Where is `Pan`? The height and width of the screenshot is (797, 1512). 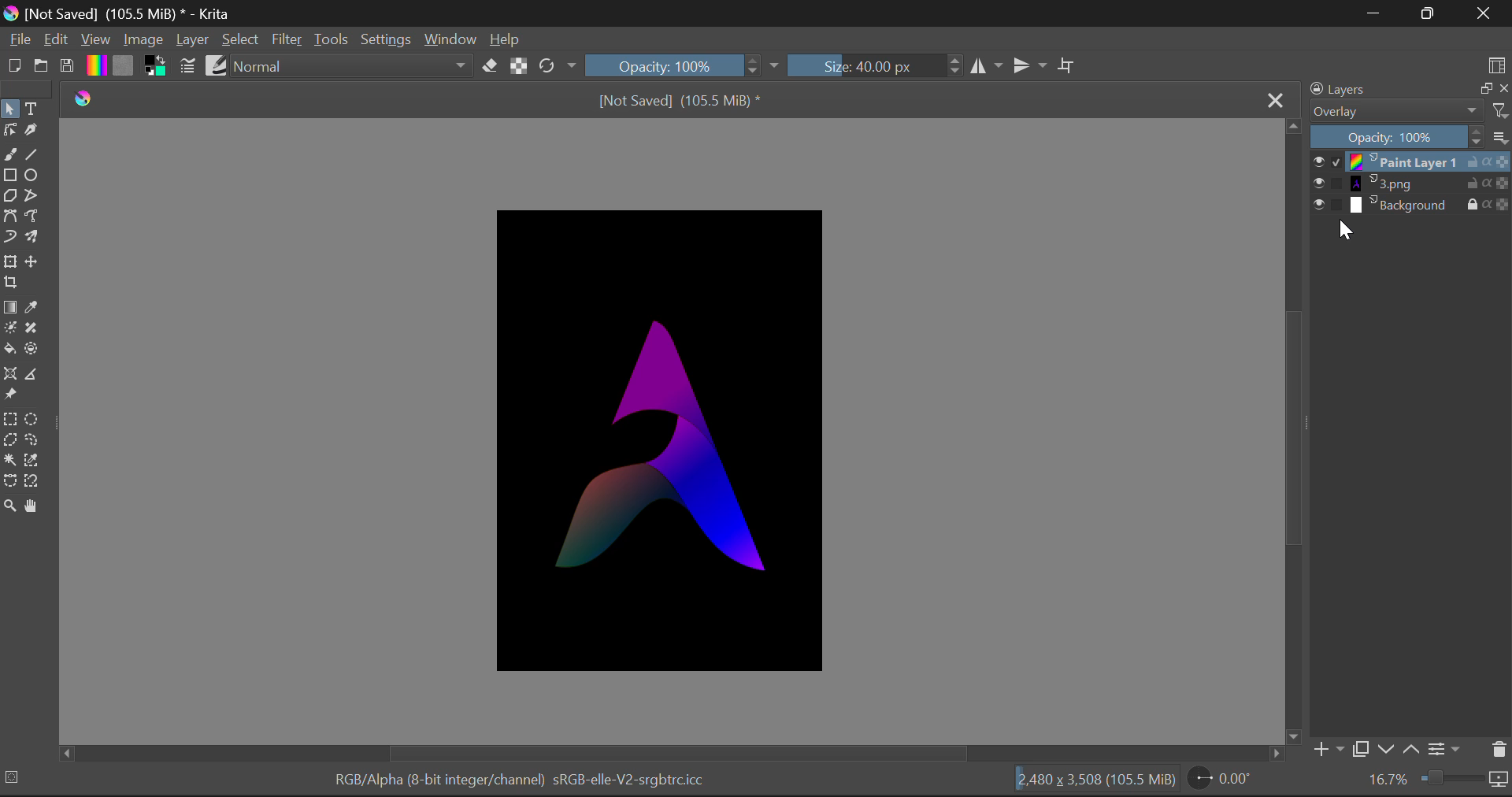
Pan is located at coordinates (34, 506).